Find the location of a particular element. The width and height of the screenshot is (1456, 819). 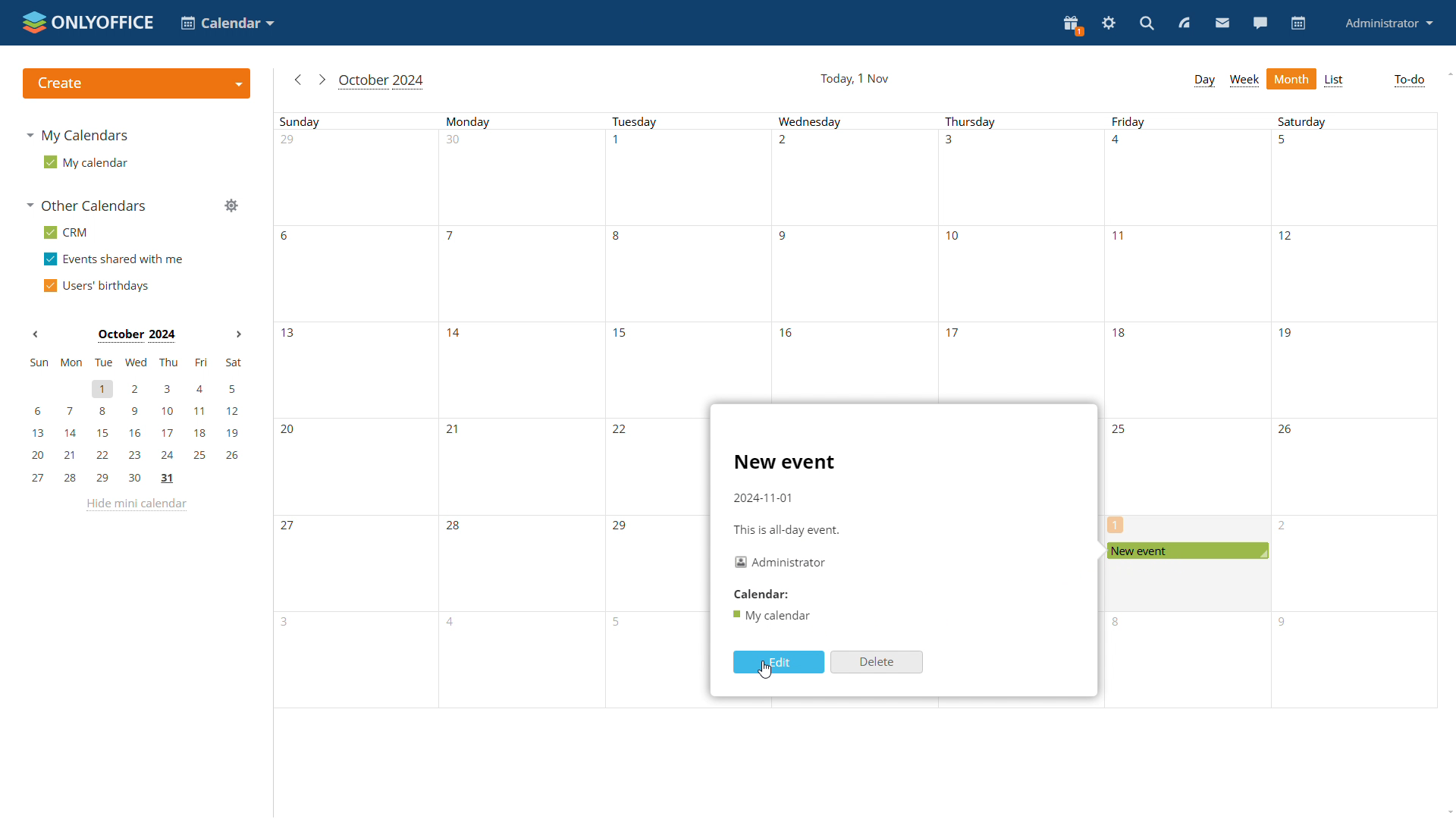

administrator is located at coordinates (1389, 23).